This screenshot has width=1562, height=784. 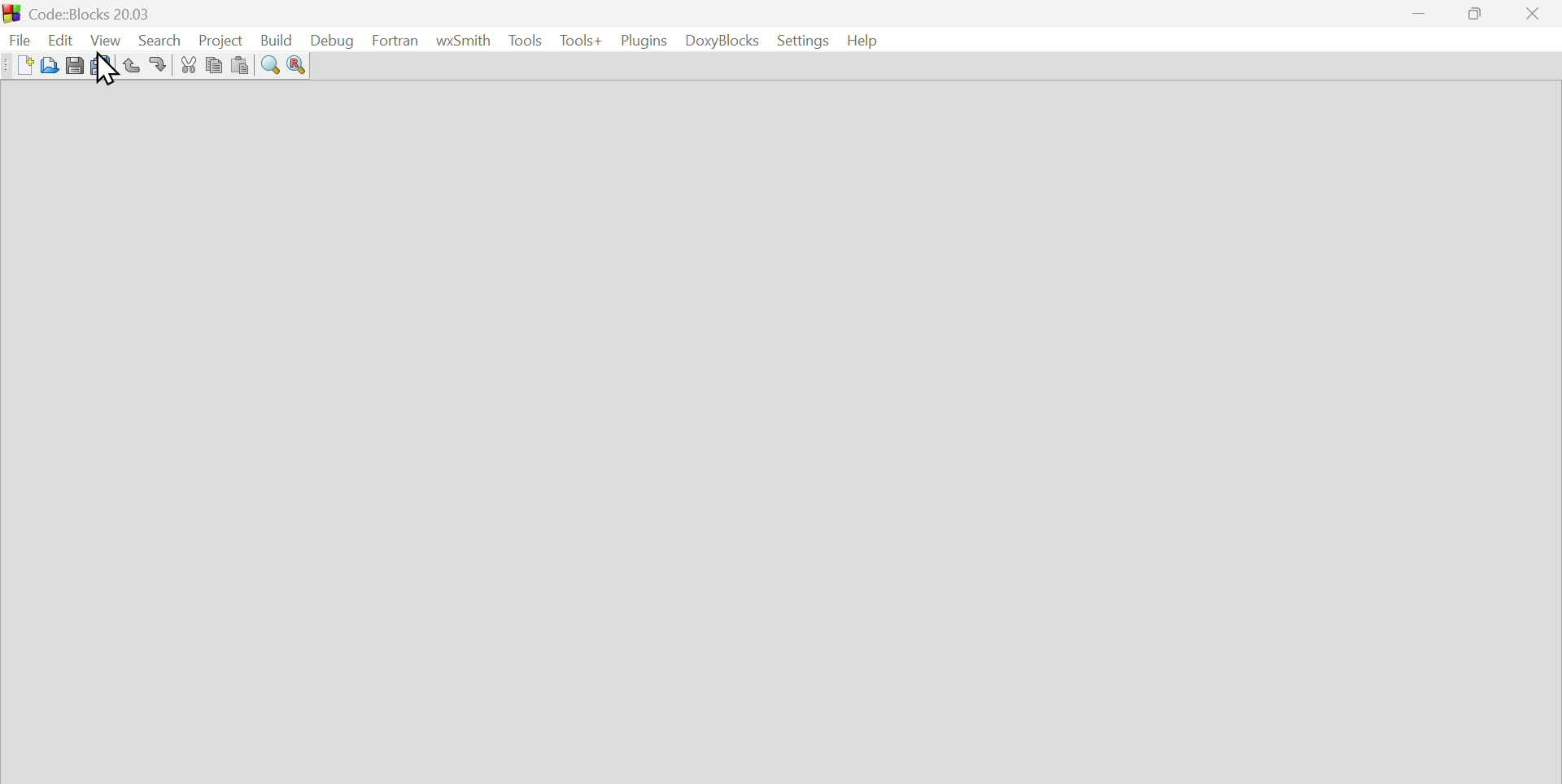 I want to click on WX Smith, so click(x=463, y=40).